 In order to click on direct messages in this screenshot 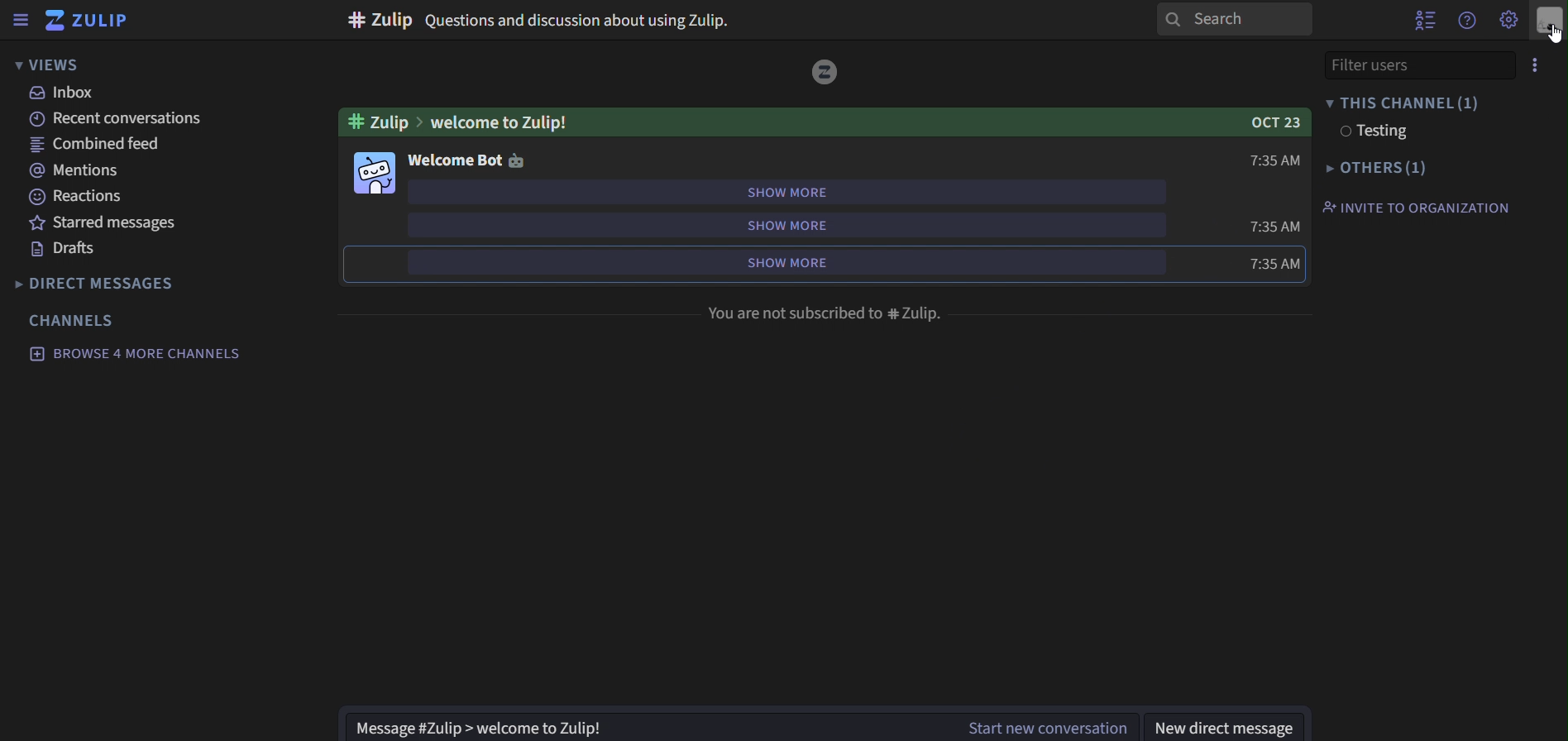, I will do `click(117, 283)`.